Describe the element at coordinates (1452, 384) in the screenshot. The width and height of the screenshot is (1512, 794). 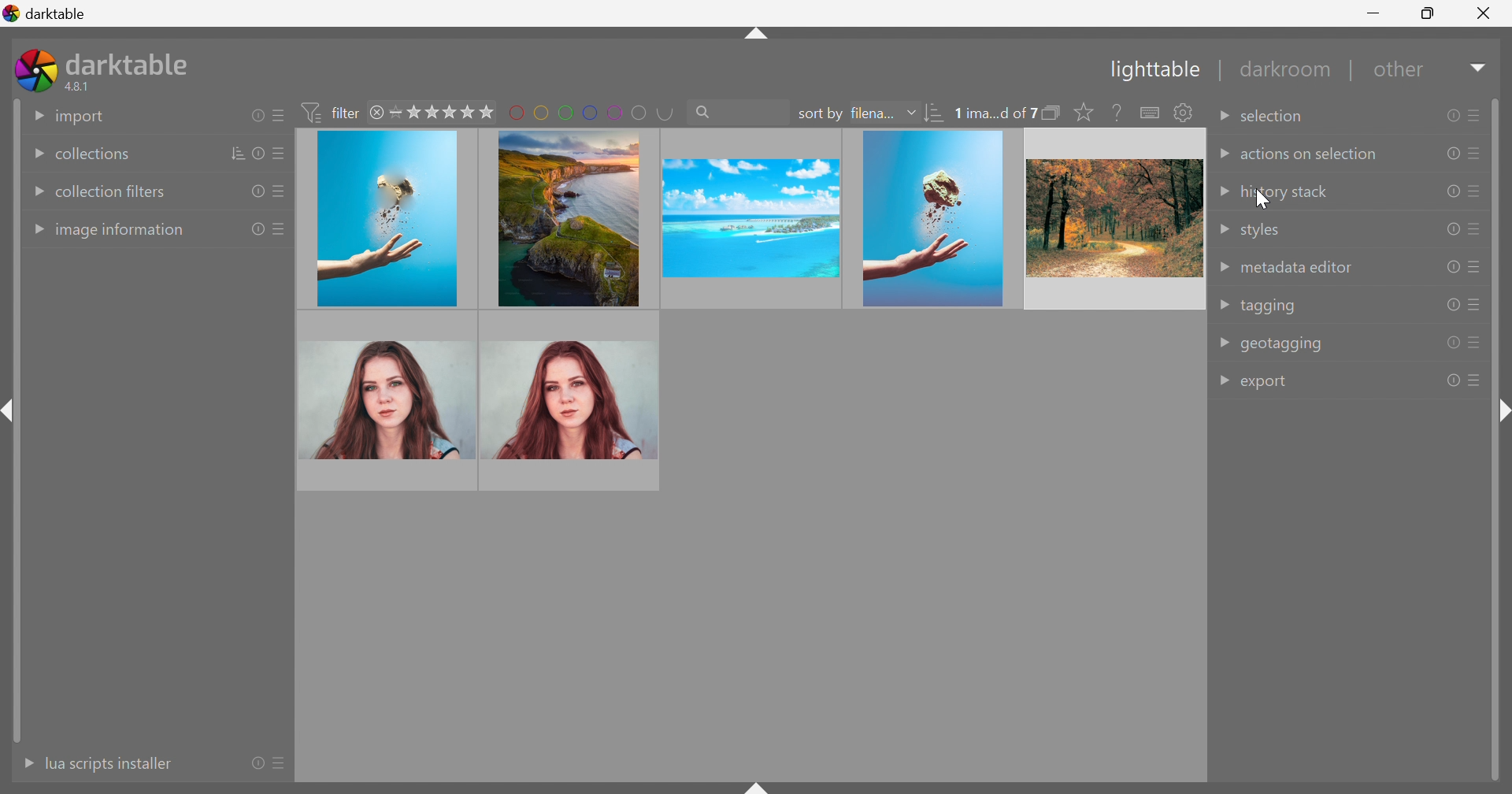
I see `reset` at that location.